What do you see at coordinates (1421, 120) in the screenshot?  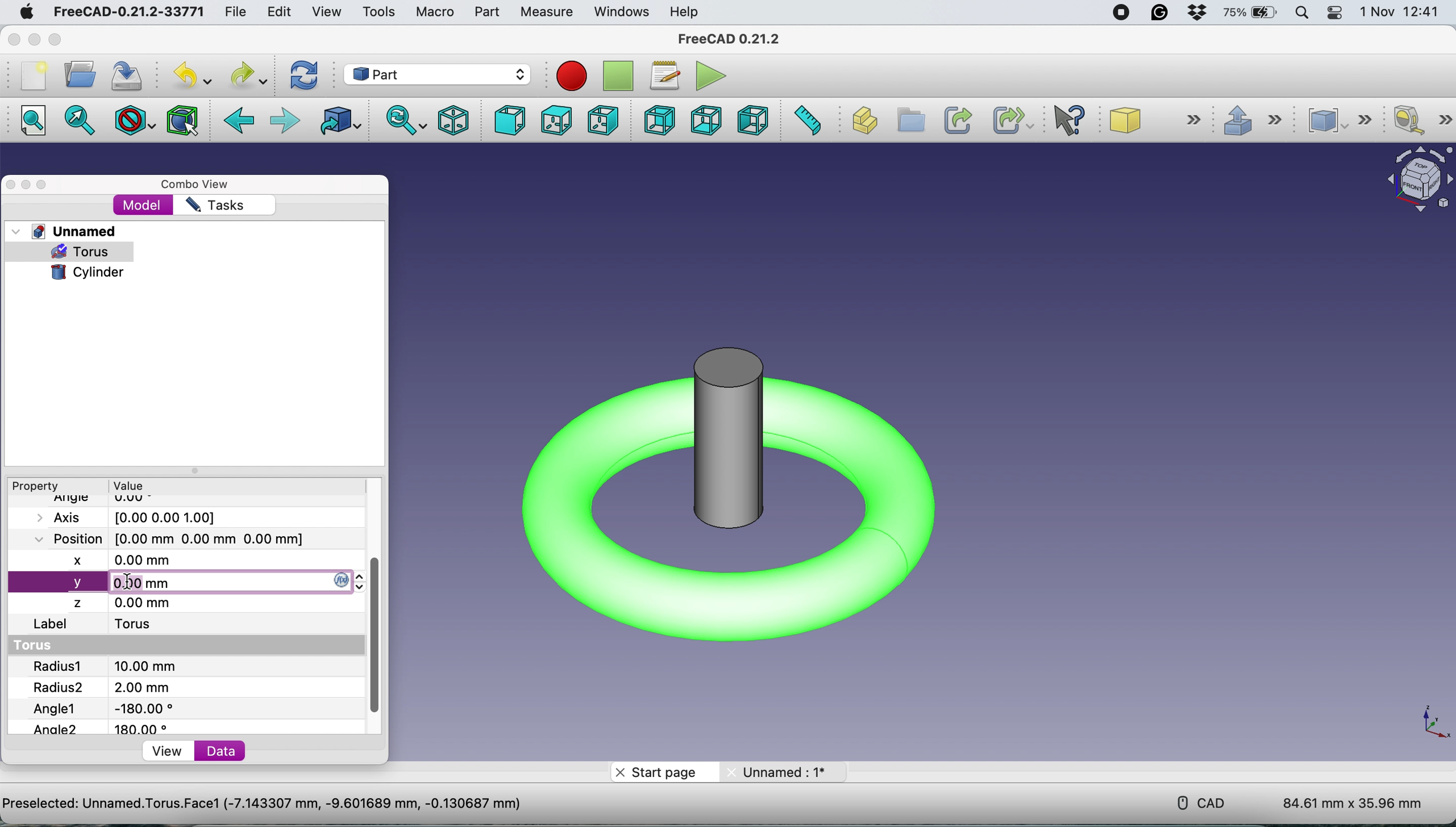 I see `measure linear` at bounding box center [1421, 120].